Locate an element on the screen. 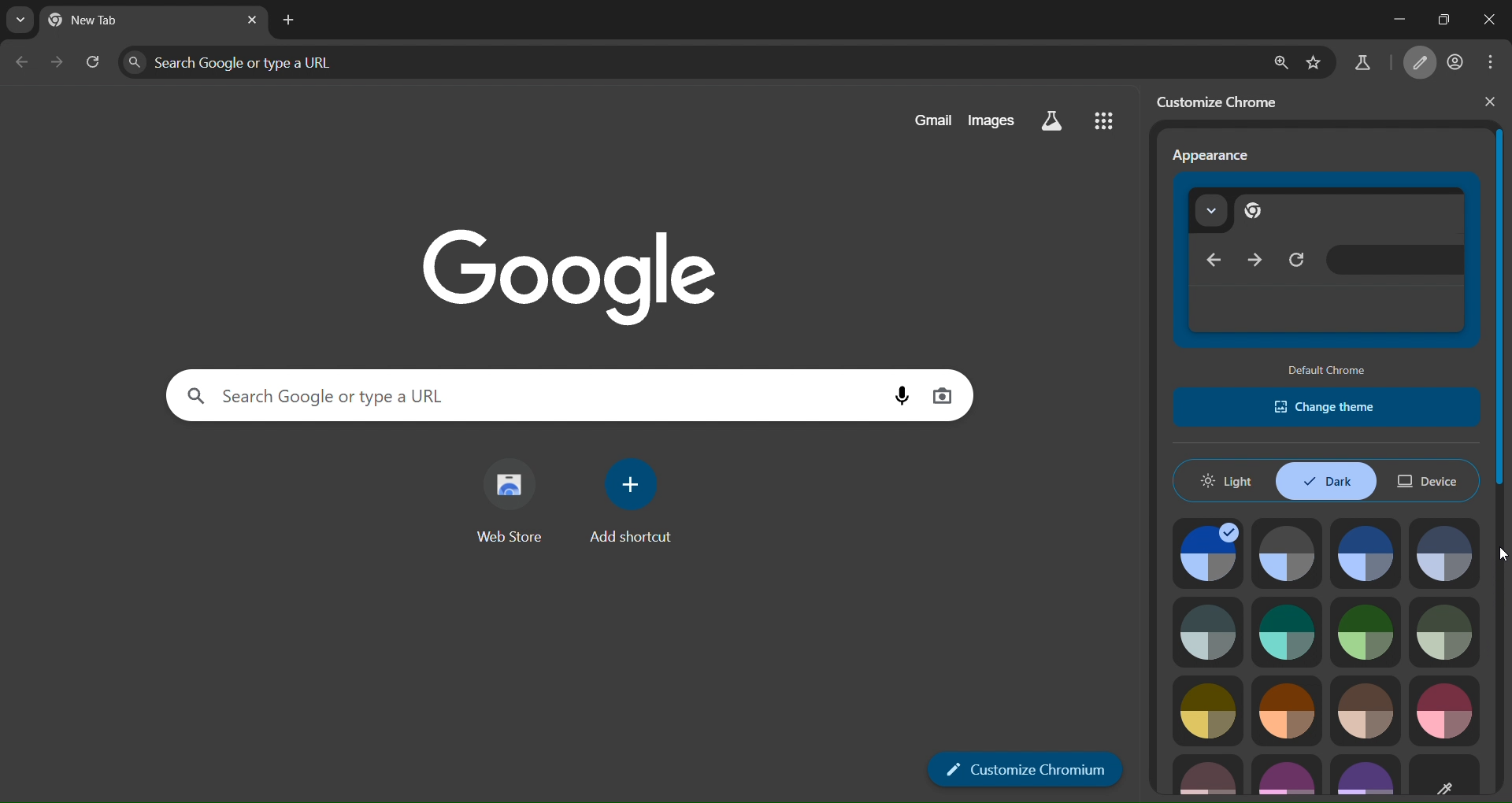 Image resolution: width=1512 pixels, height=803 pixels. go forward one page is located at coordinates (57, 61).